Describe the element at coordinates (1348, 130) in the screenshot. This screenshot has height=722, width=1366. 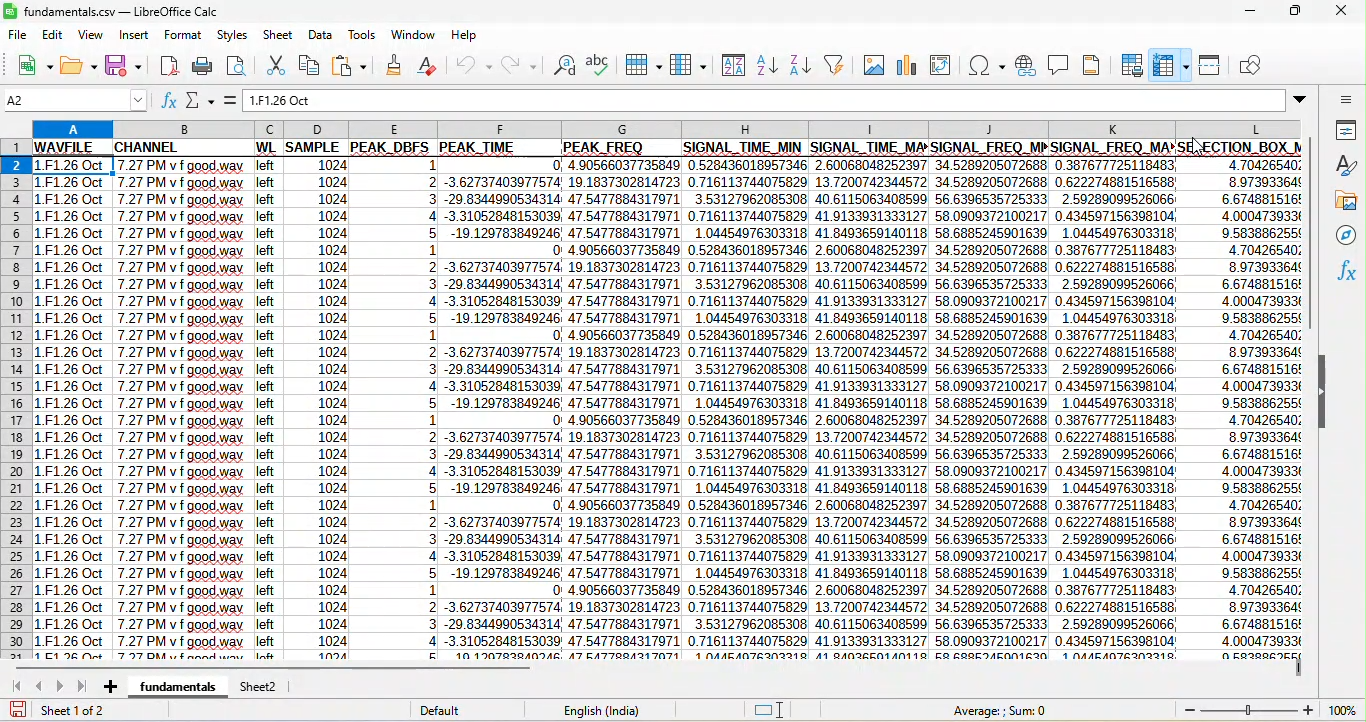
I see `properties` at that location.